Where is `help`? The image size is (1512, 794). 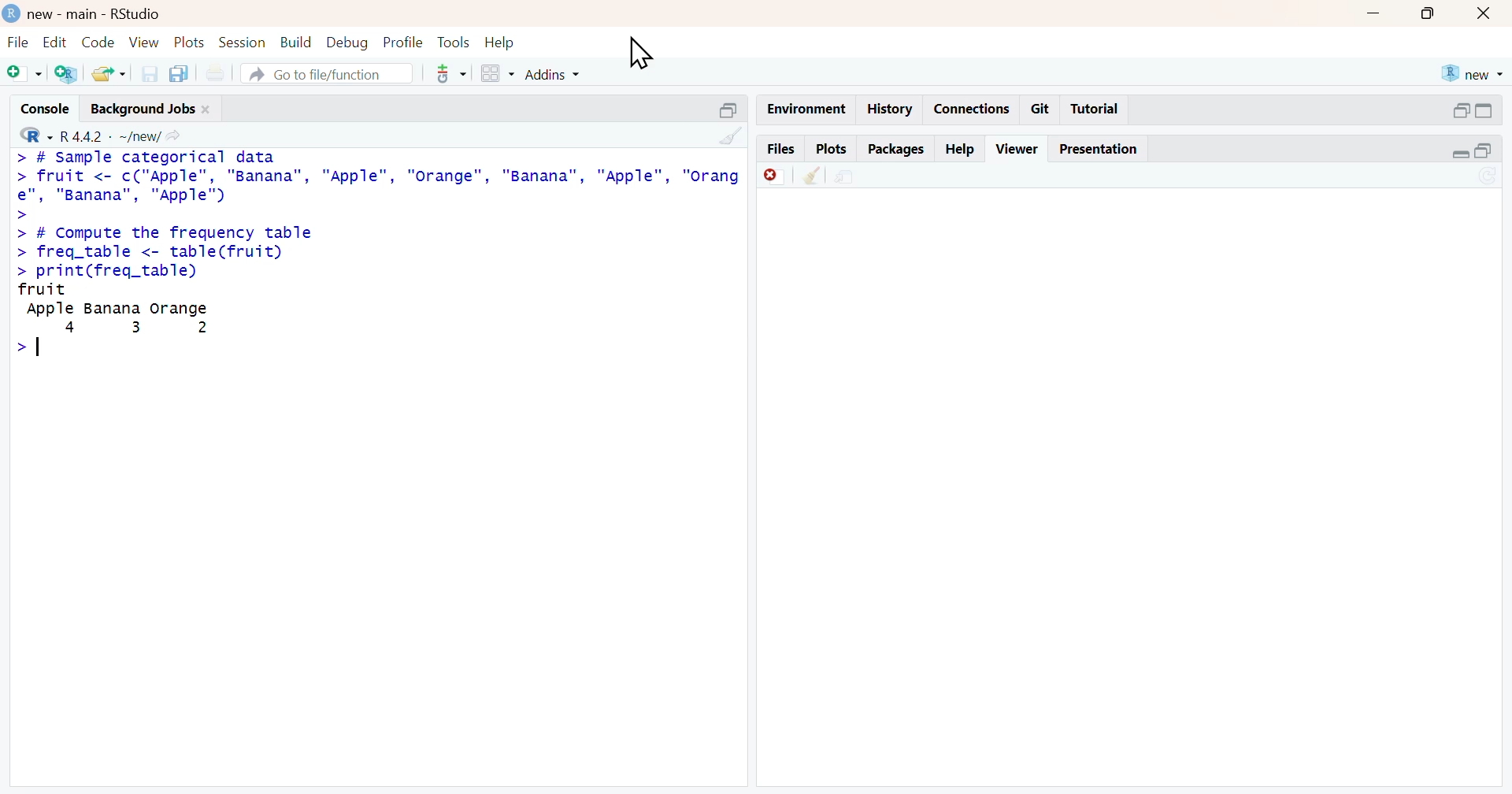
help is located at coordinates (498, 42).